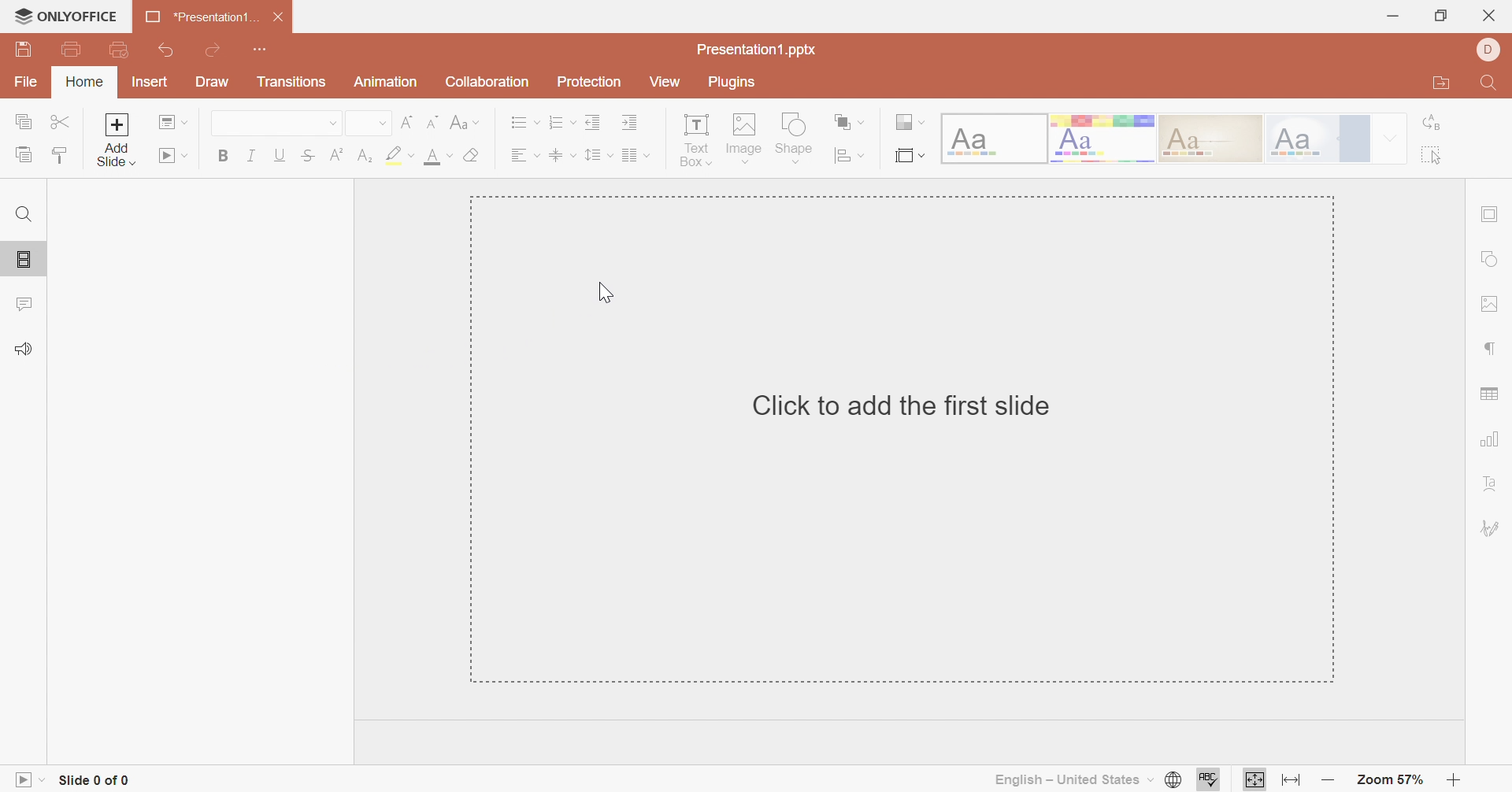 The image size is (1512, 792). I want to click on Insert, so click(150, 83).